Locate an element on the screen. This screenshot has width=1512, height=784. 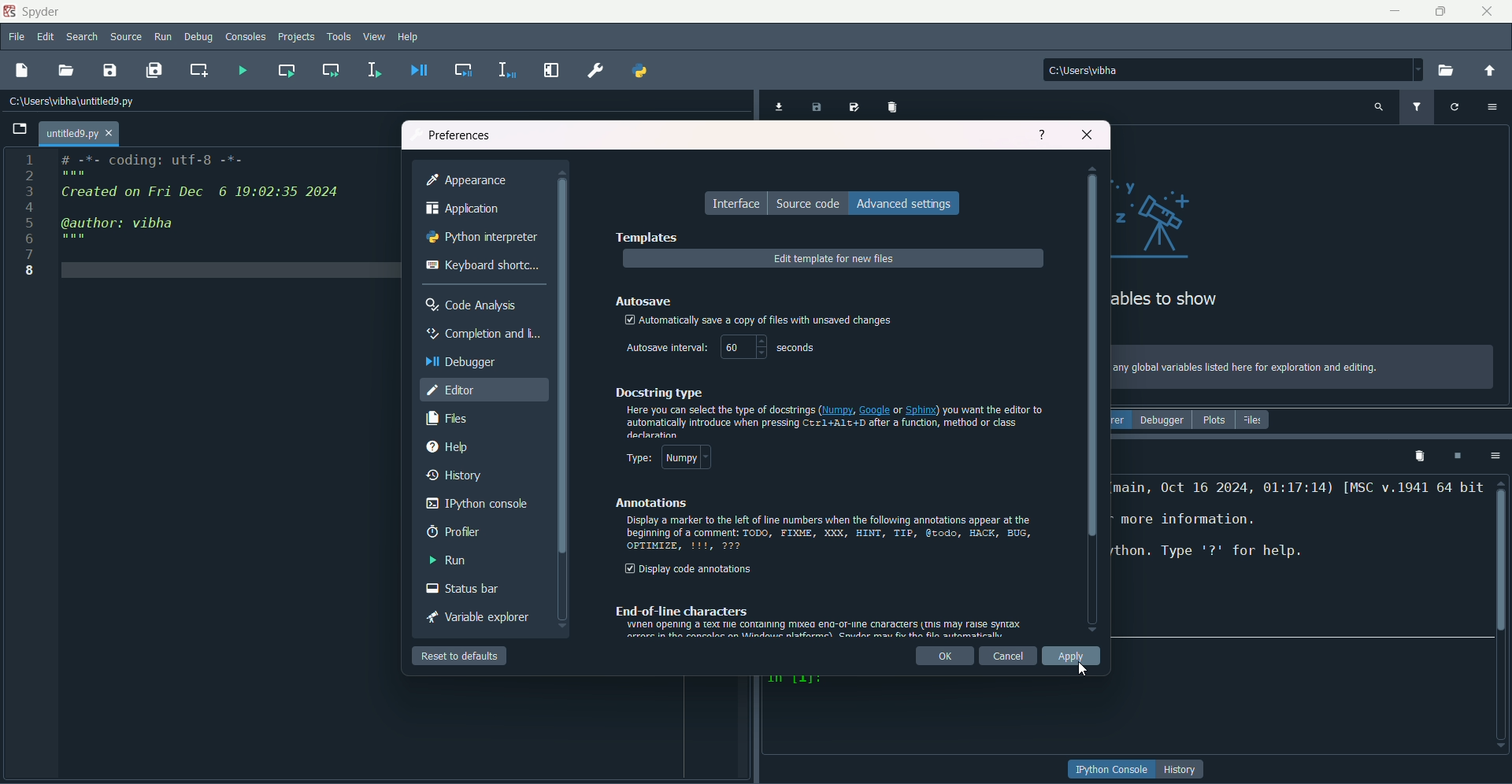
debug selection is located at coordinates (504, 70).